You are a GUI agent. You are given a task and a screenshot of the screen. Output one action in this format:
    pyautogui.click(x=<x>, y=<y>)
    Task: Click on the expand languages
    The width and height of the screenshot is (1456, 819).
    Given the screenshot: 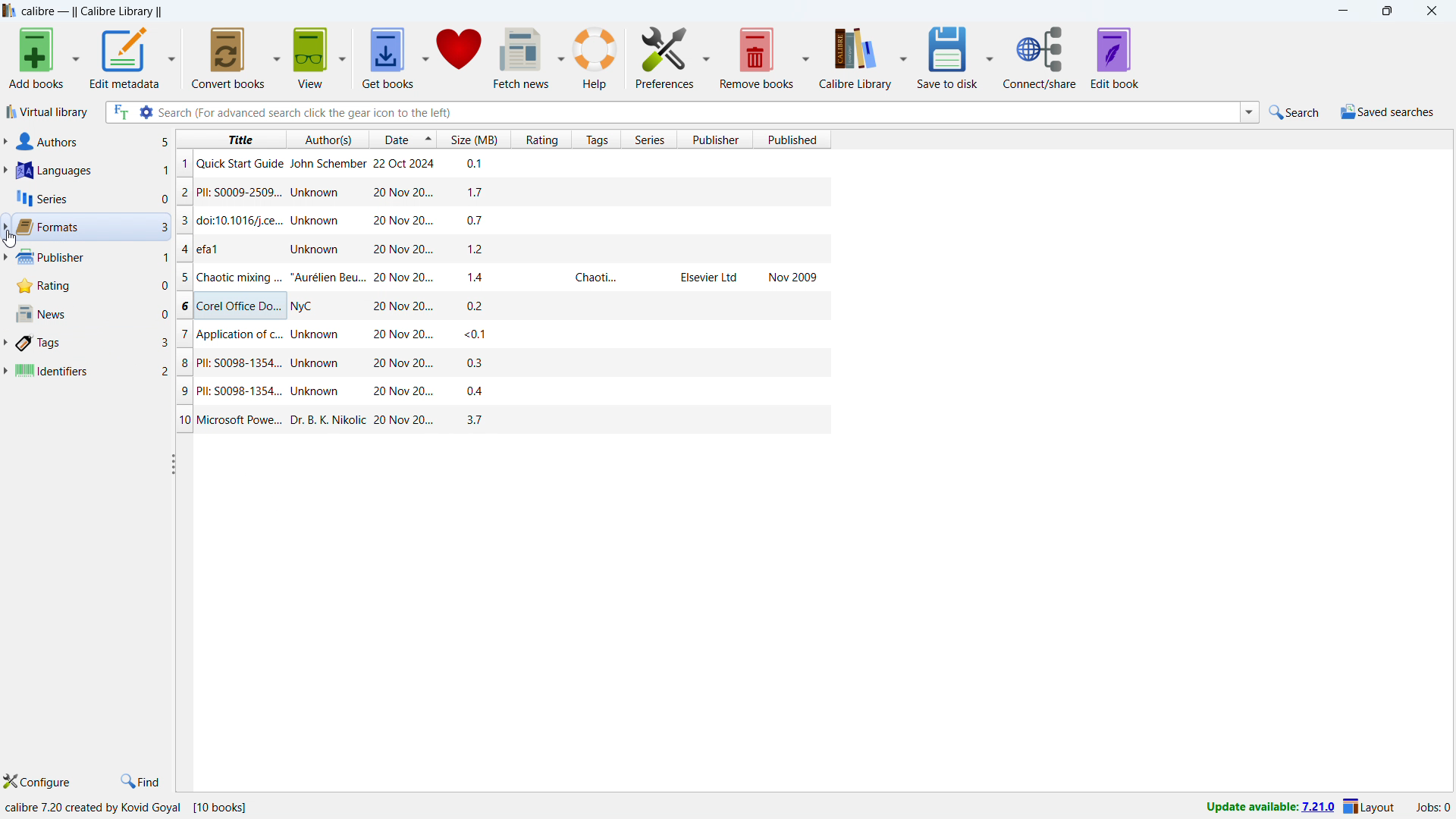 What is the action you would take?
    pyautogui.click(x=5, y=171)
    